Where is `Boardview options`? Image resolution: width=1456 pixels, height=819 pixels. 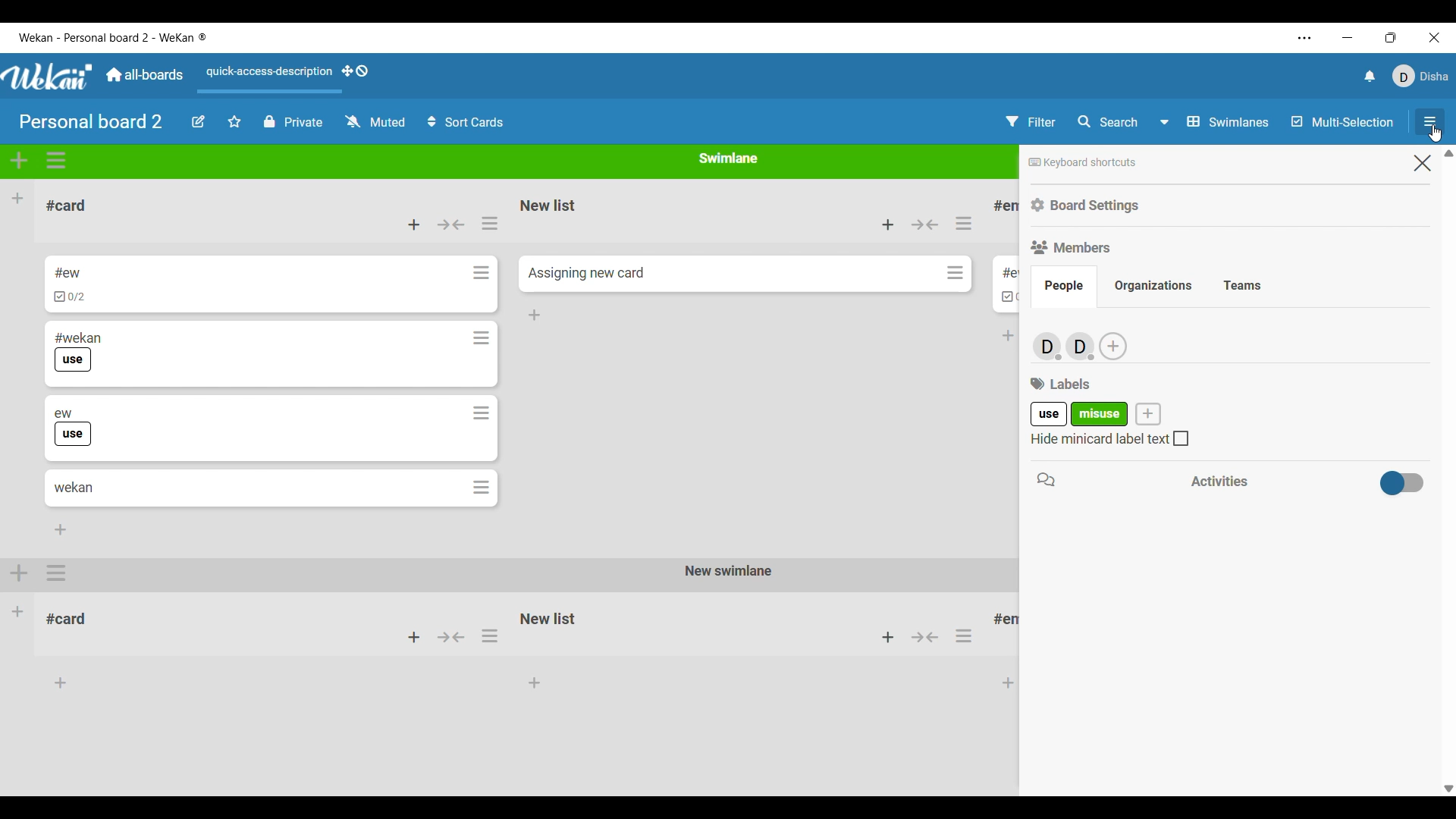
Boardview options is located at coordinates (1214, 122).